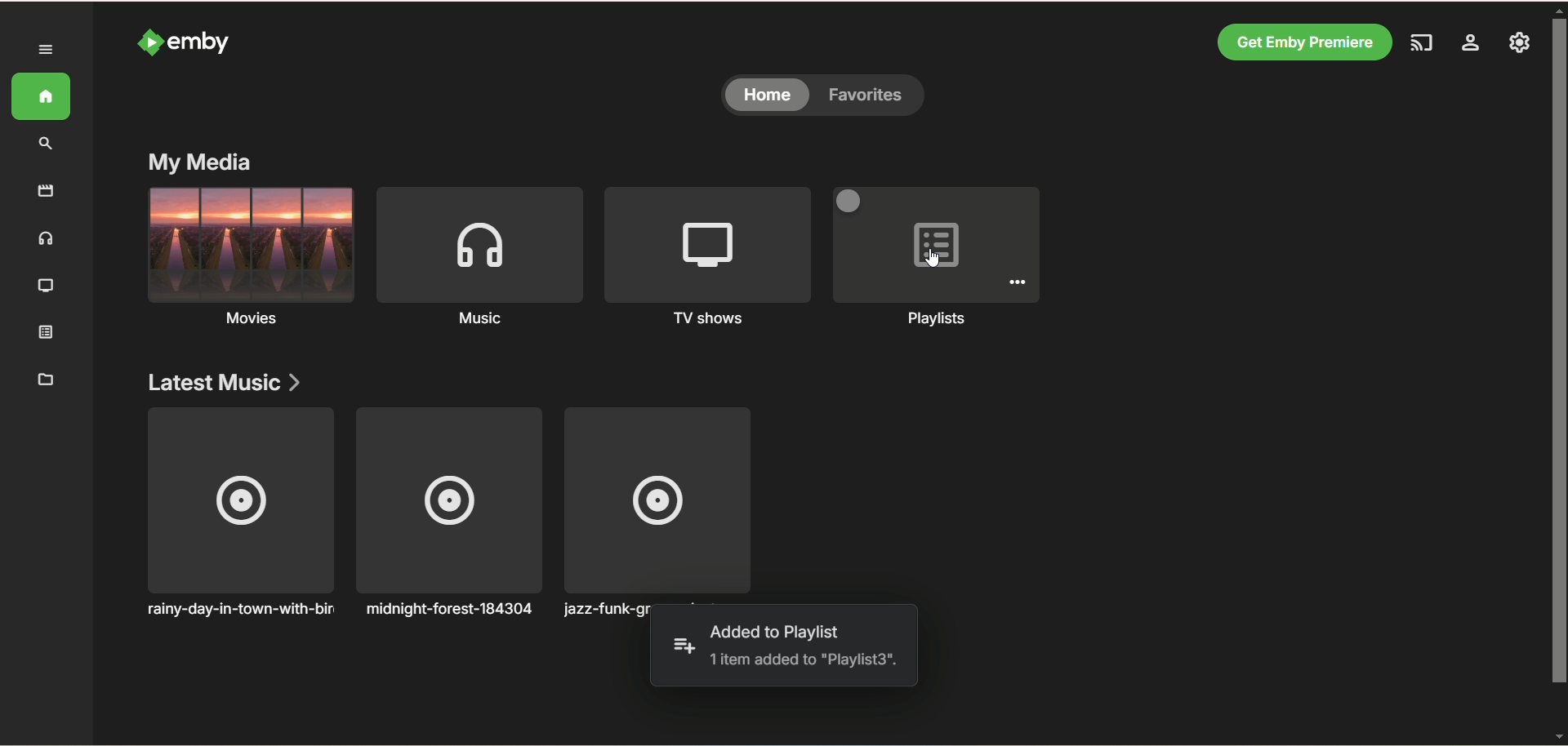  I want to click on playlist, so click(51, 334).